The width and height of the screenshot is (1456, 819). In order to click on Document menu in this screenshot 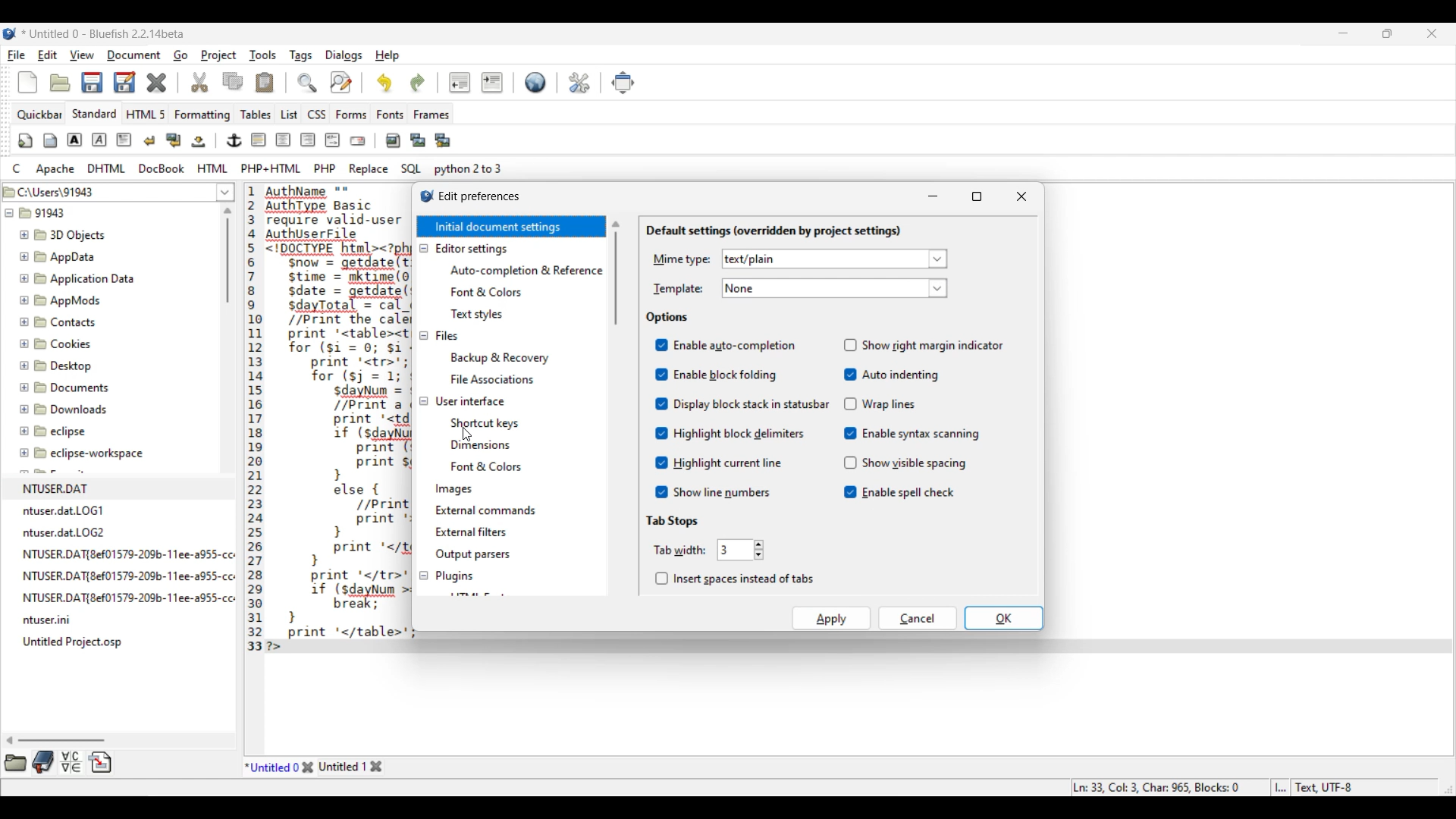, I will do `click(134, 55)`.